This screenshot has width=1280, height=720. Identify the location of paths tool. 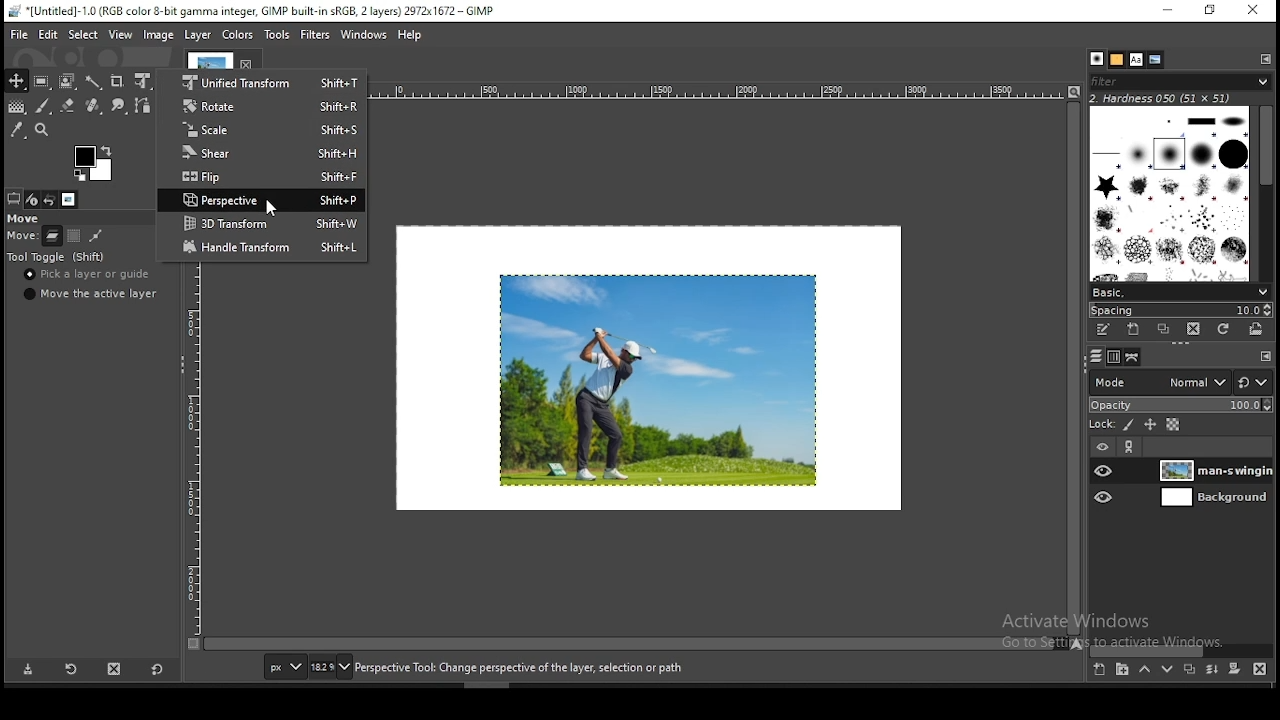
(145, 106).